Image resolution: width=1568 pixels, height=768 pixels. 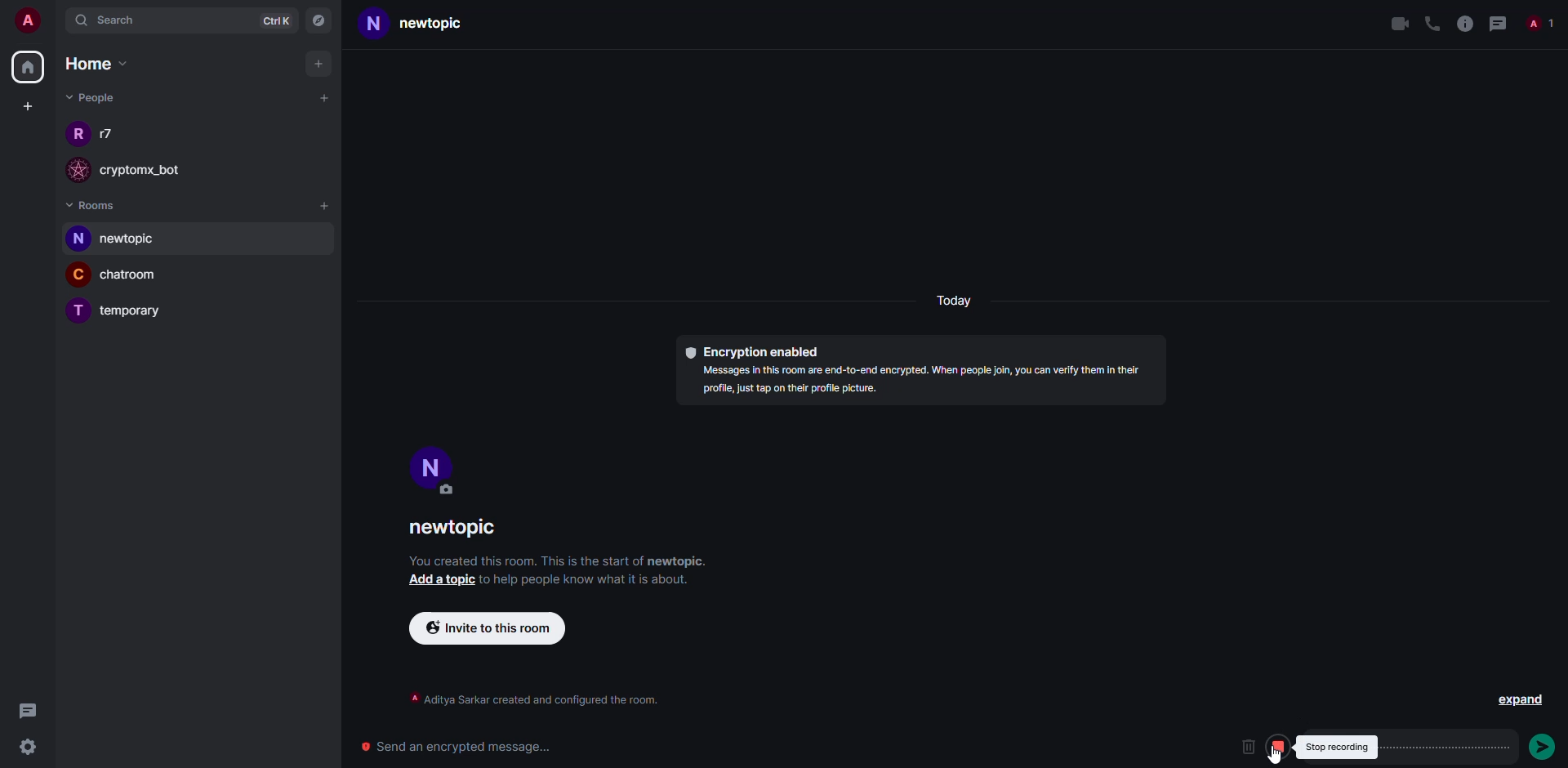 I want to click on room, so click(x=133, y=312).